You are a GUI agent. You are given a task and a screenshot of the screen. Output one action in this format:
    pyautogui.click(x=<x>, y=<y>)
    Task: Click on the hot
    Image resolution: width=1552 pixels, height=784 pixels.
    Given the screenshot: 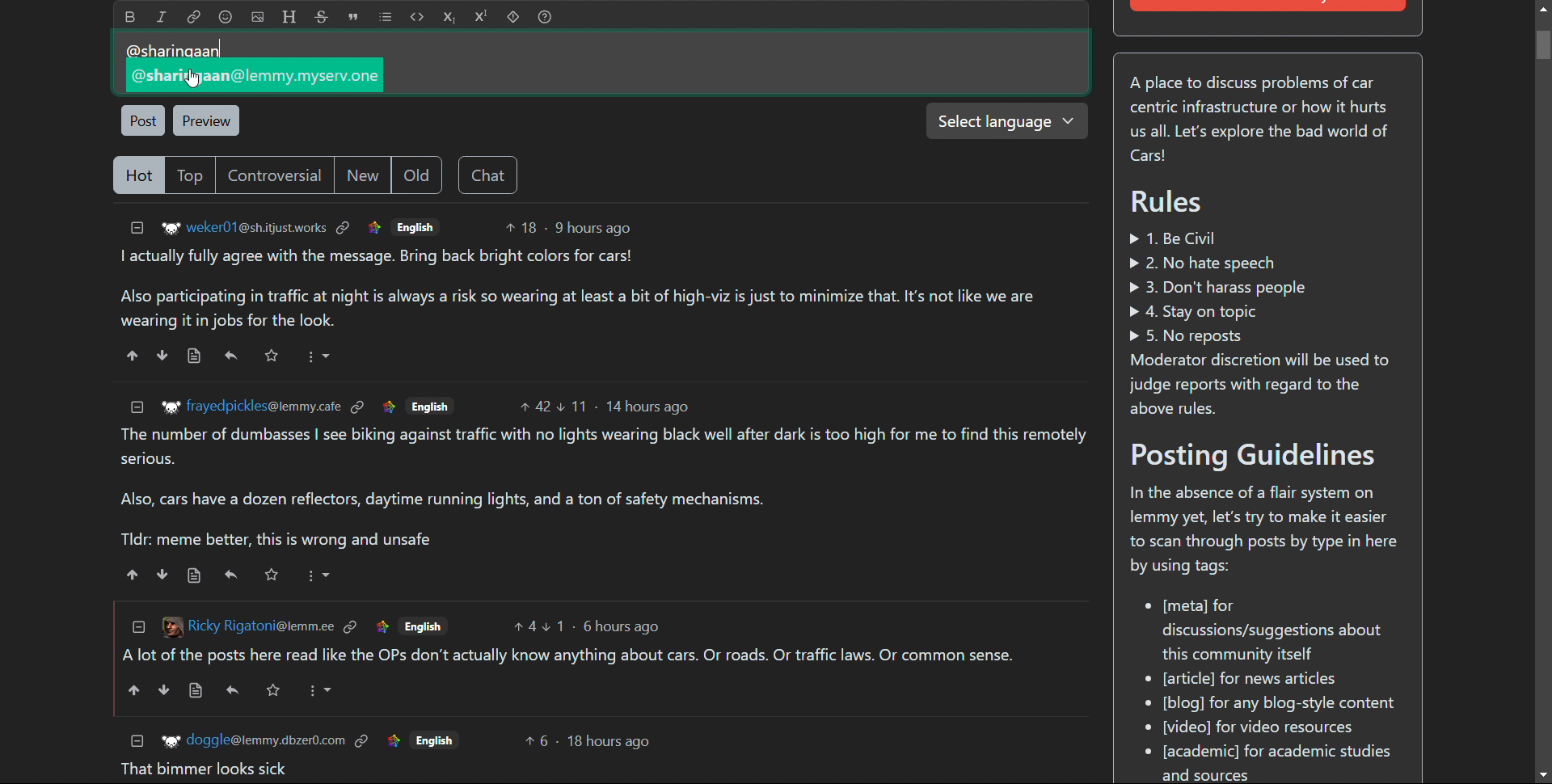 What is the action you would take?
    pyautogui.click(x=137, y=175)
    